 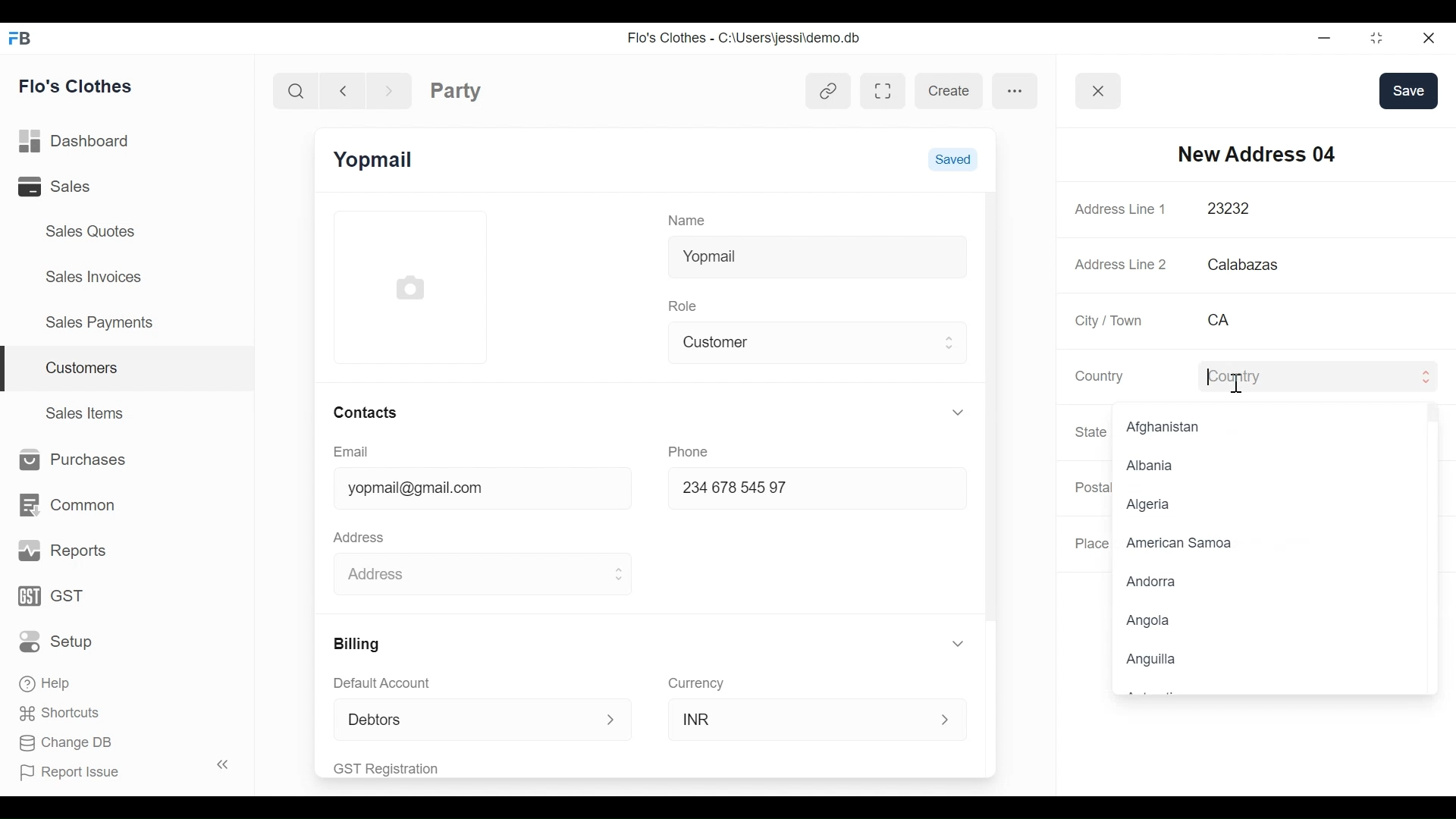 What do you see at coordinates (92, 231) in the screenshot?
I see `Sales Quotes` at bounding box center [92, 231].